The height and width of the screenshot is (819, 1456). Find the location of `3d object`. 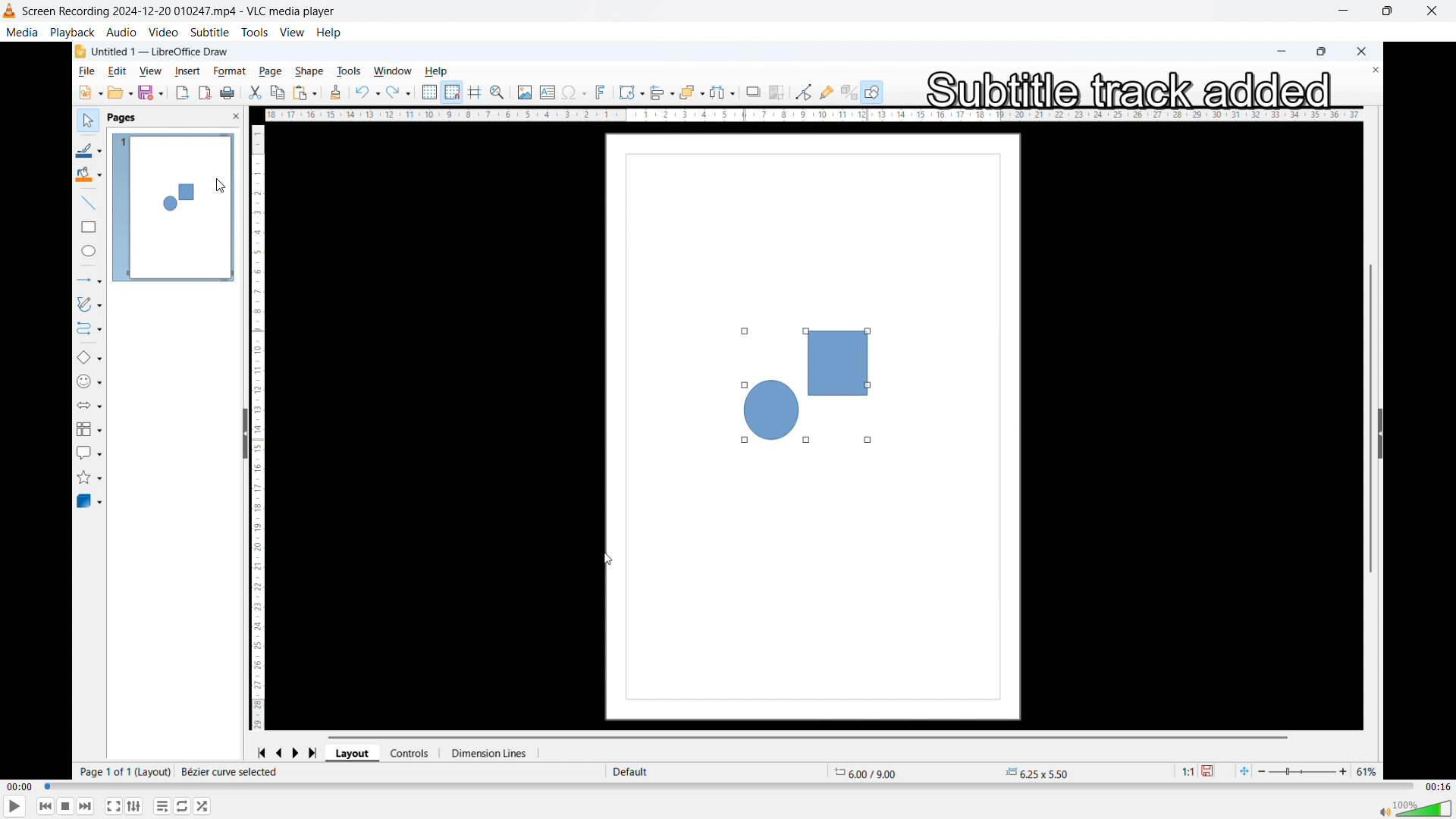

3d object is located at coordinates (90, 502).